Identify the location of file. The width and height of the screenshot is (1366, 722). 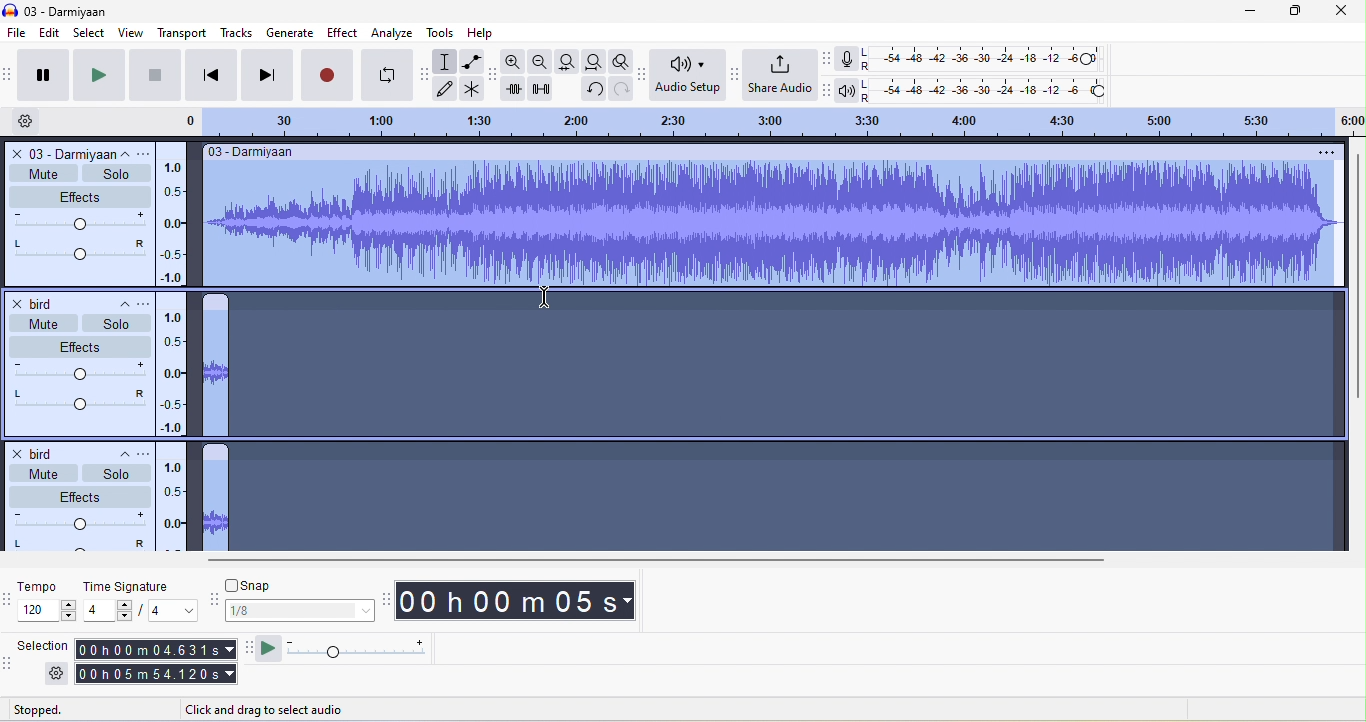
(18, 33).